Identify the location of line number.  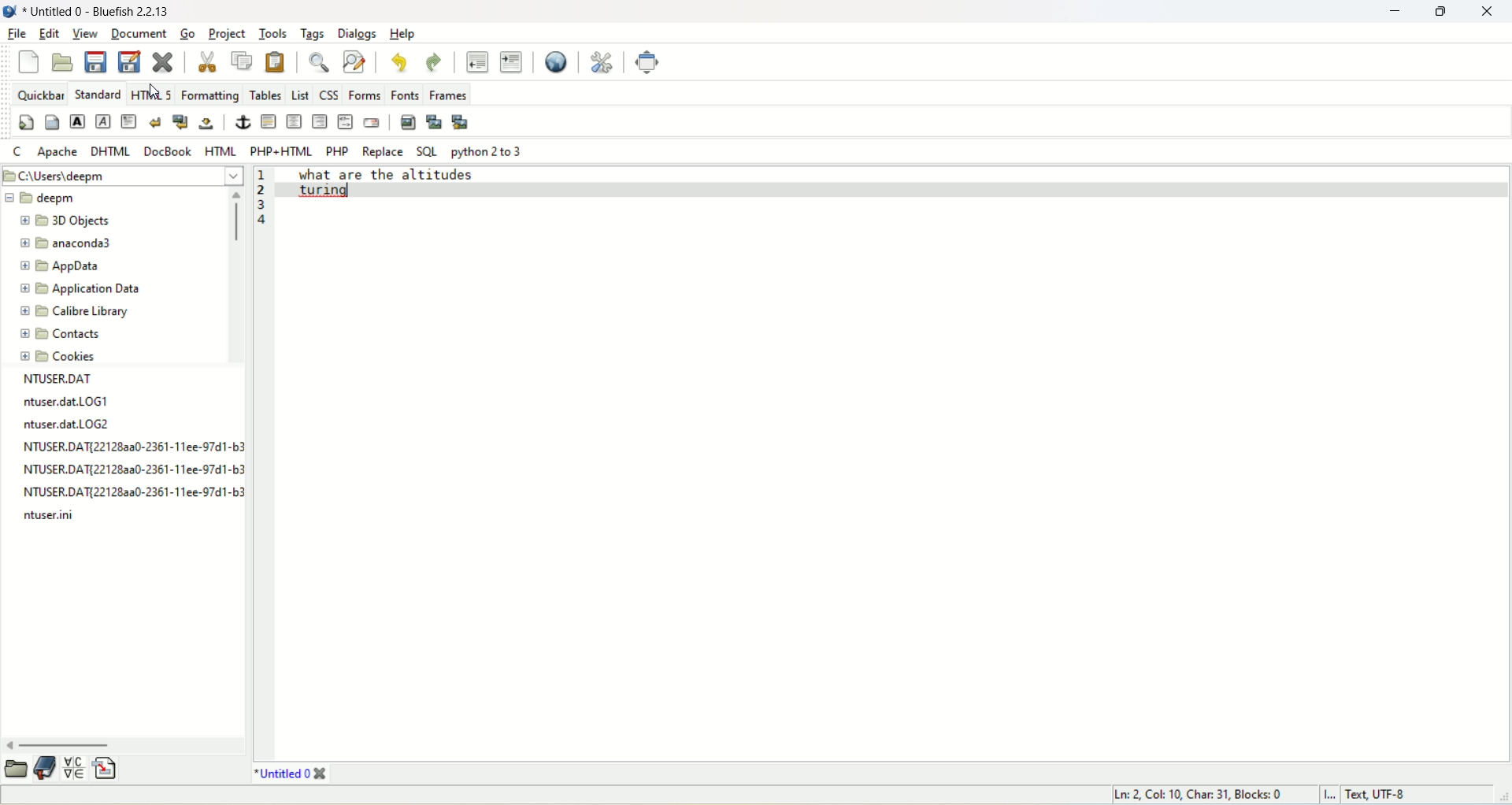
(264, 192).